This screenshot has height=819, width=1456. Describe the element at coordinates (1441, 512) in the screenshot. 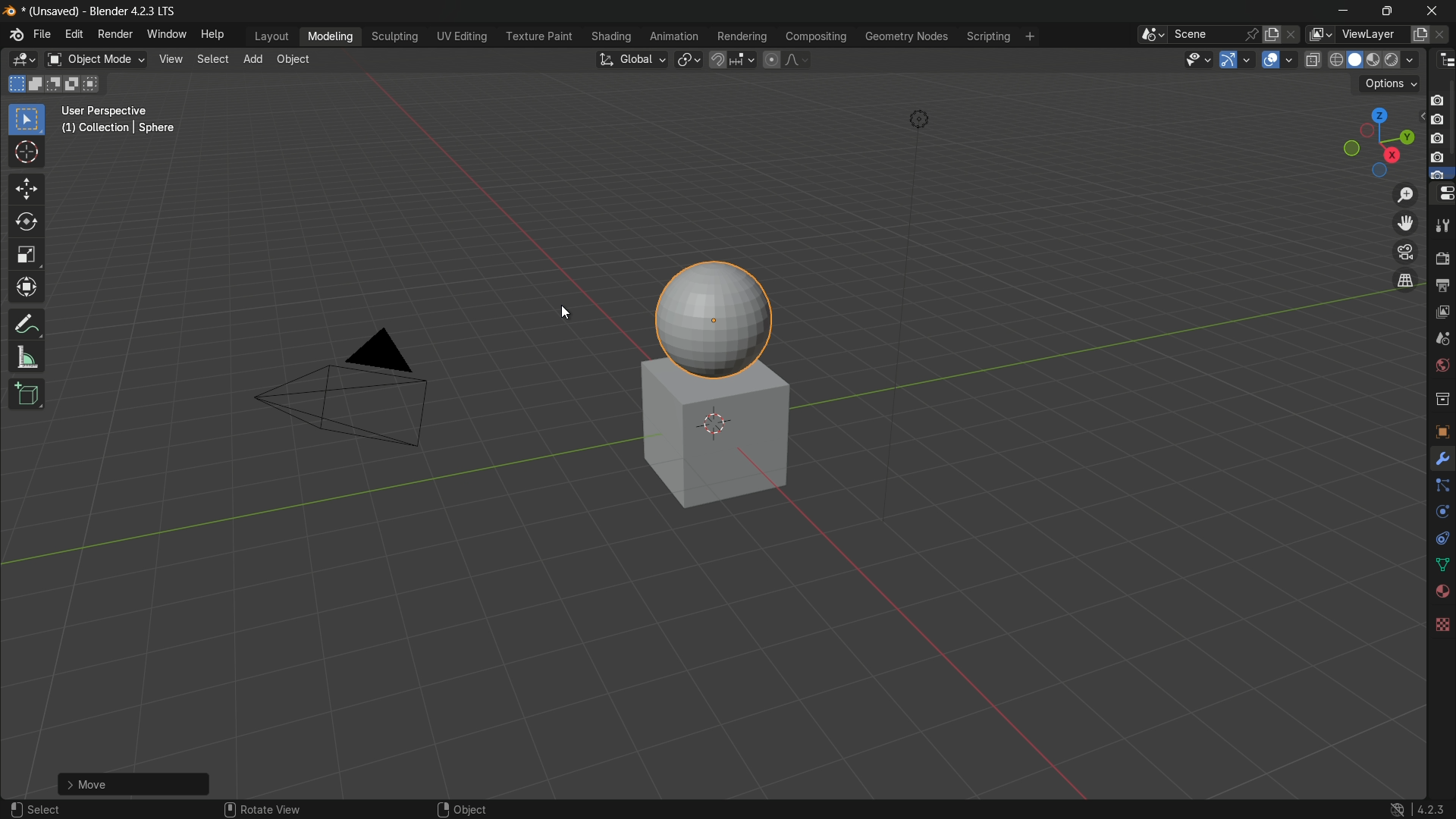

I see `Object Data Properties` at that location.